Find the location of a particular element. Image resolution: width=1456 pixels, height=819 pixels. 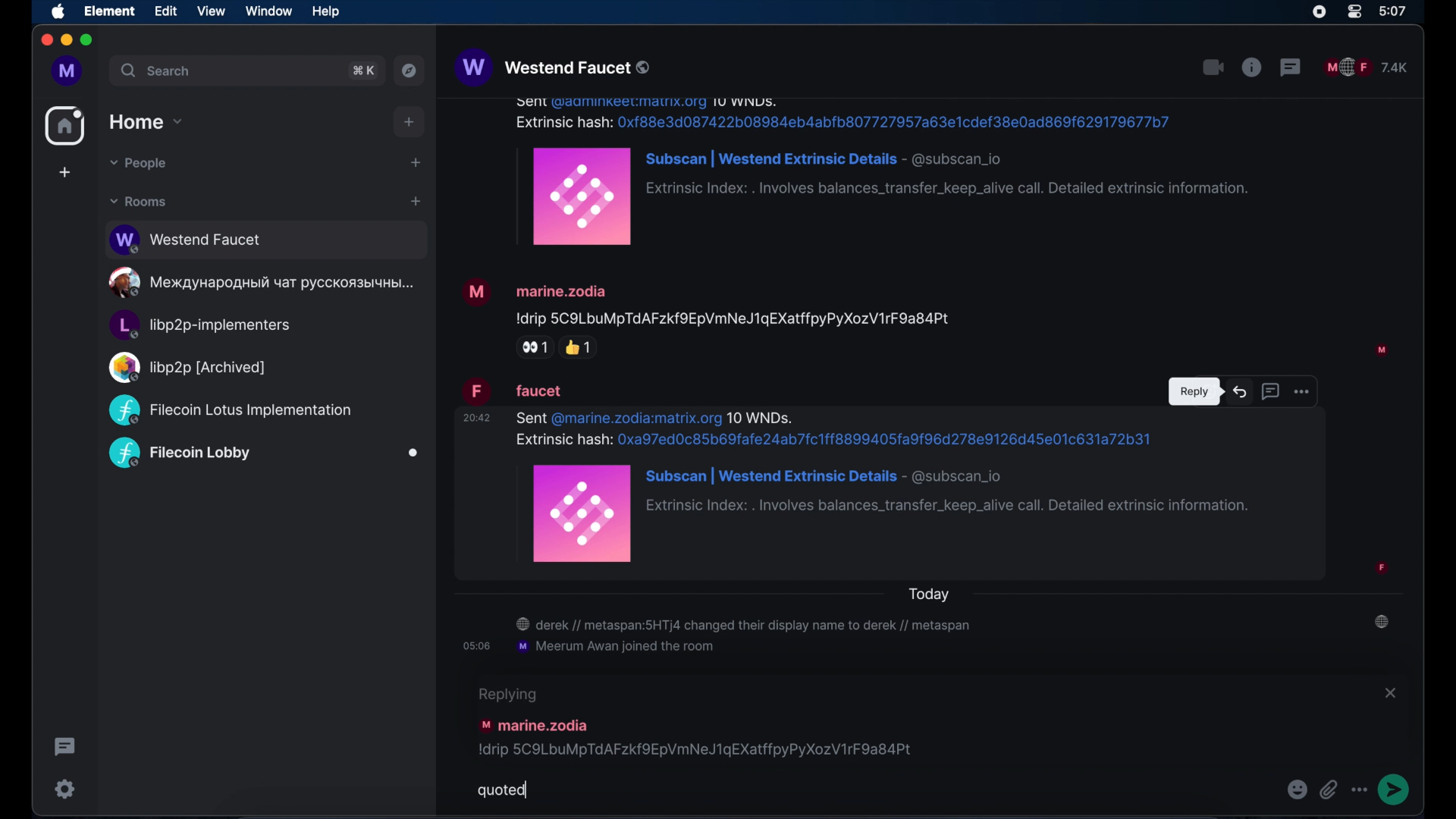

apple icon is located at coordinates (59, 13).